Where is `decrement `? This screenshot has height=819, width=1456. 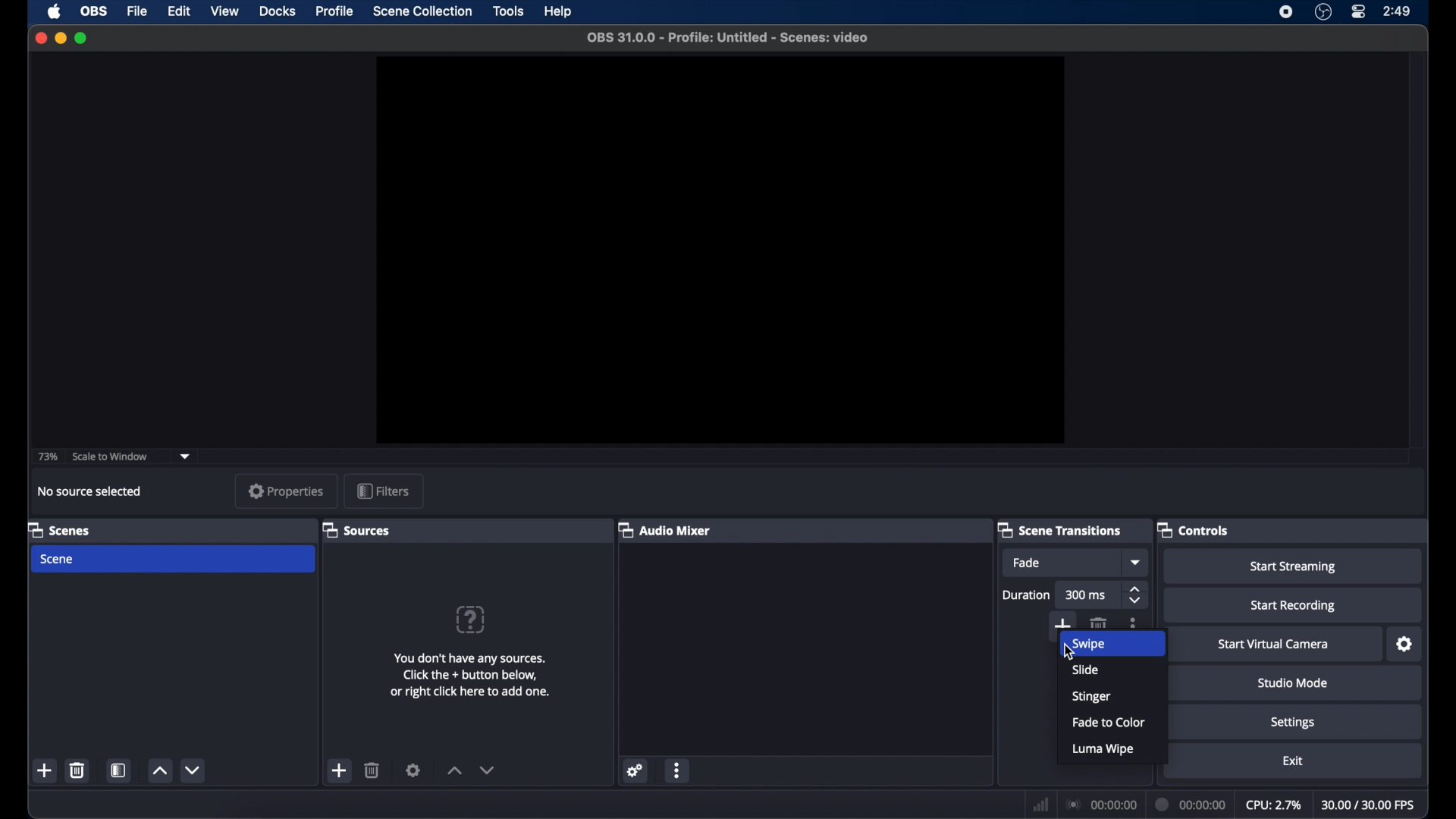 decrement  is located at coordinates (194, 770).